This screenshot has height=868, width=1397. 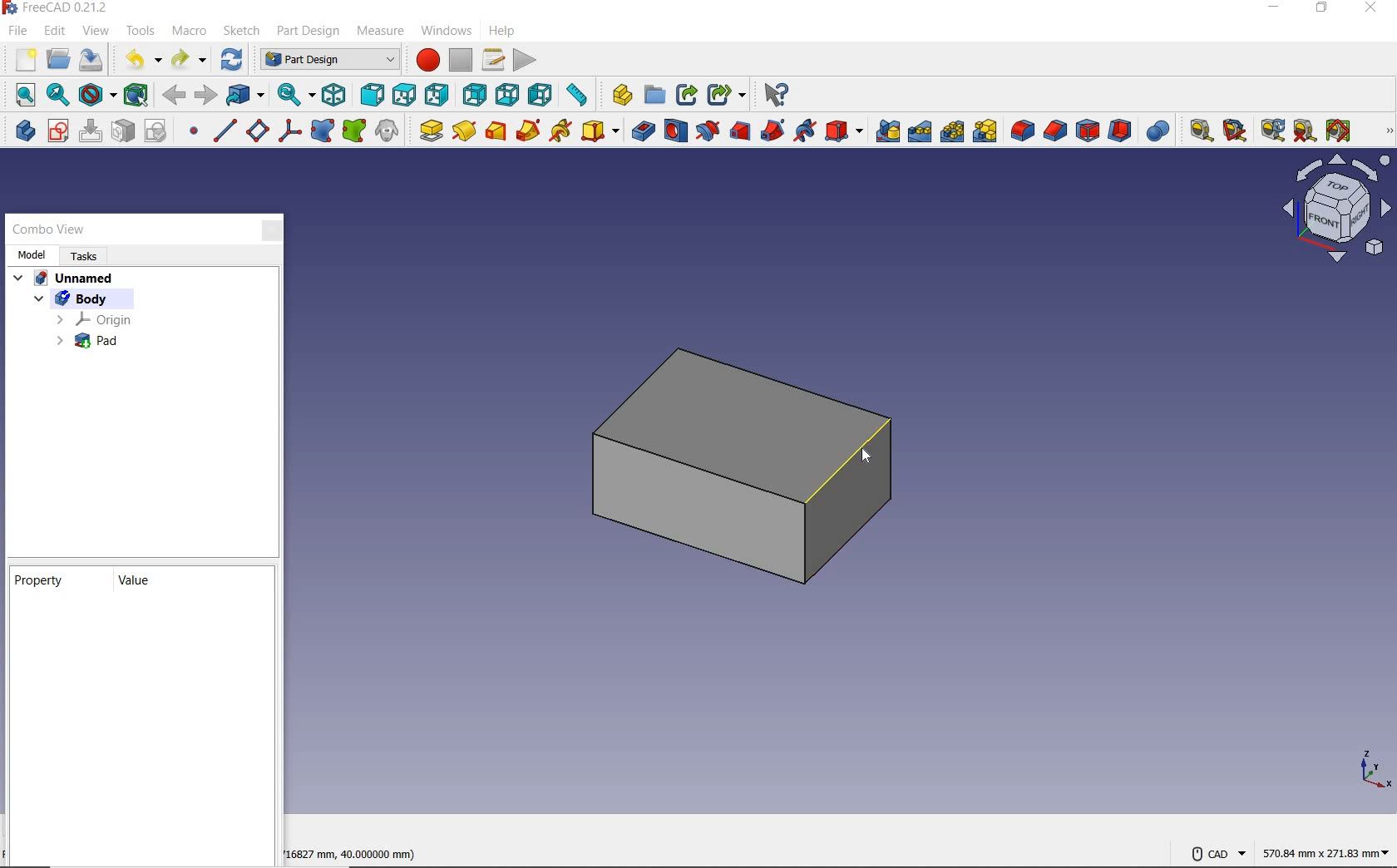 I want to click on xyz view, so click(x=1372, y=769).